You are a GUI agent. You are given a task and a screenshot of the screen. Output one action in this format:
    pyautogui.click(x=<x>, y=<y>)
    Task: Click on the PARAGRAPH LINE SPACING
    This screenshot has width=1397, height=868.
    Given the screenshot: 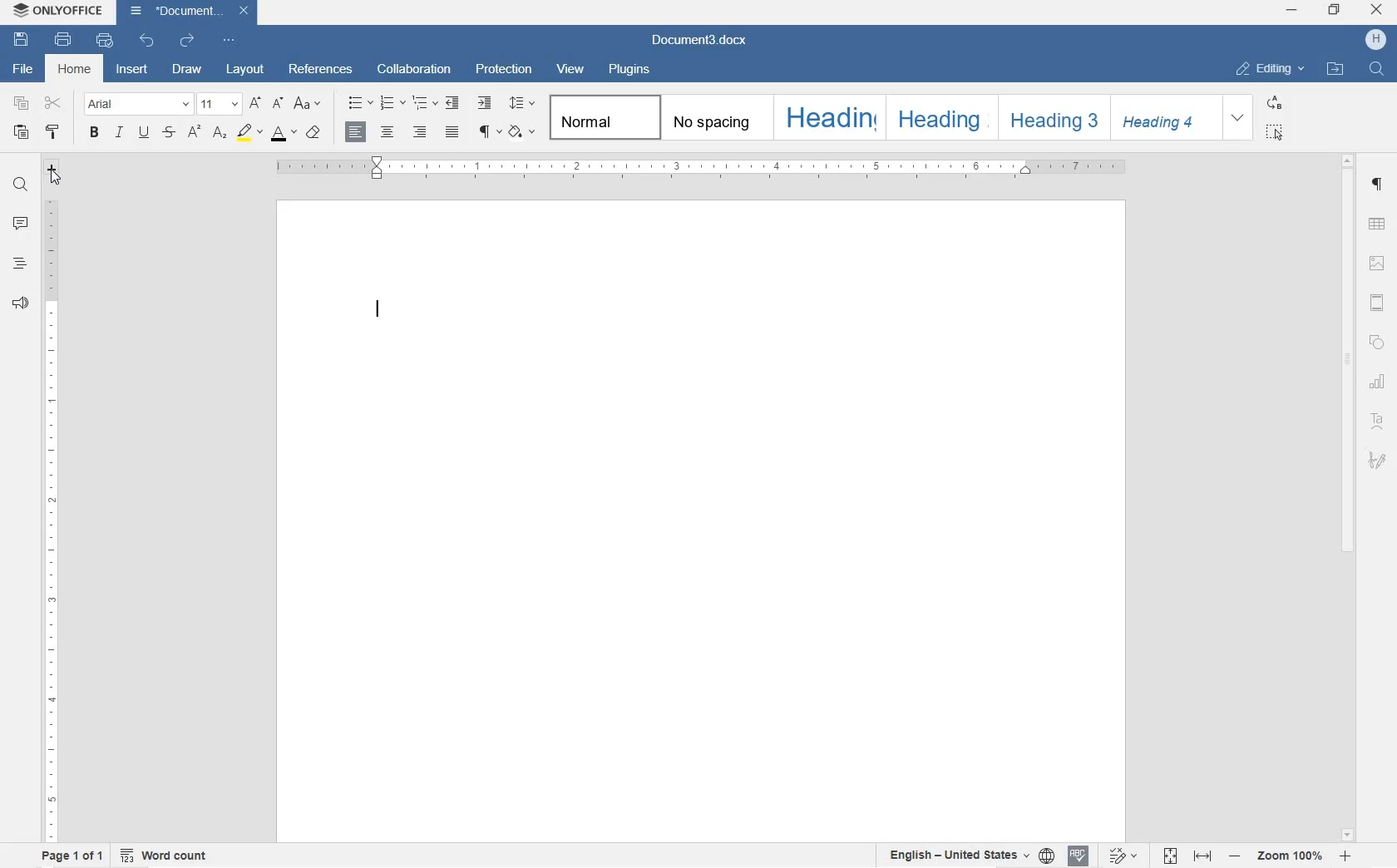 What is the action you would take?
    pyautogui.click(x=522, y=104)
    